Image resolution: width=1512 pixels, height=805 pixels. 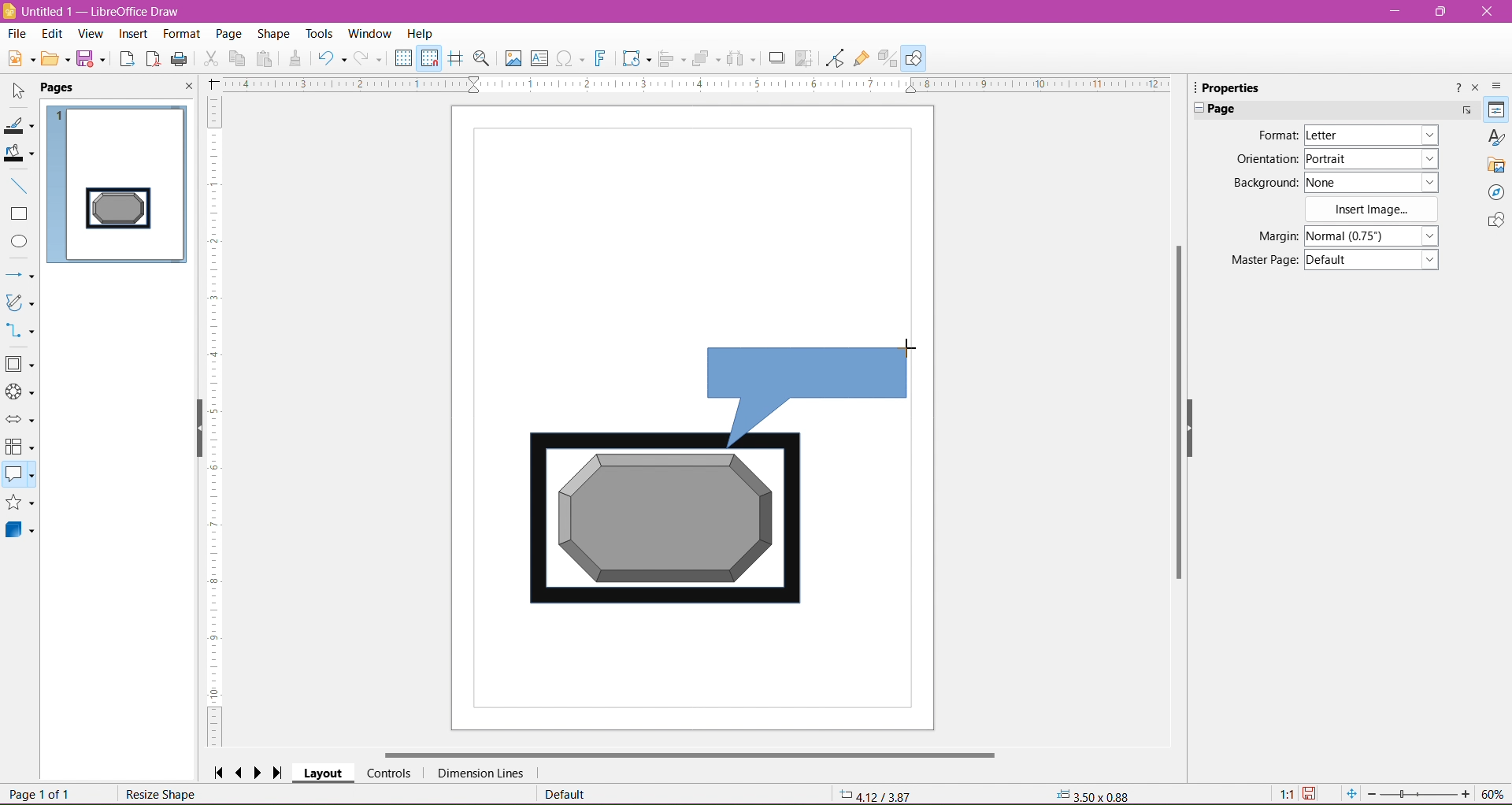 What do you see at coordinates (833, 60) in the screenshot?
I see `Toggle Point Edit Mode` at bounding box center [833, 60].